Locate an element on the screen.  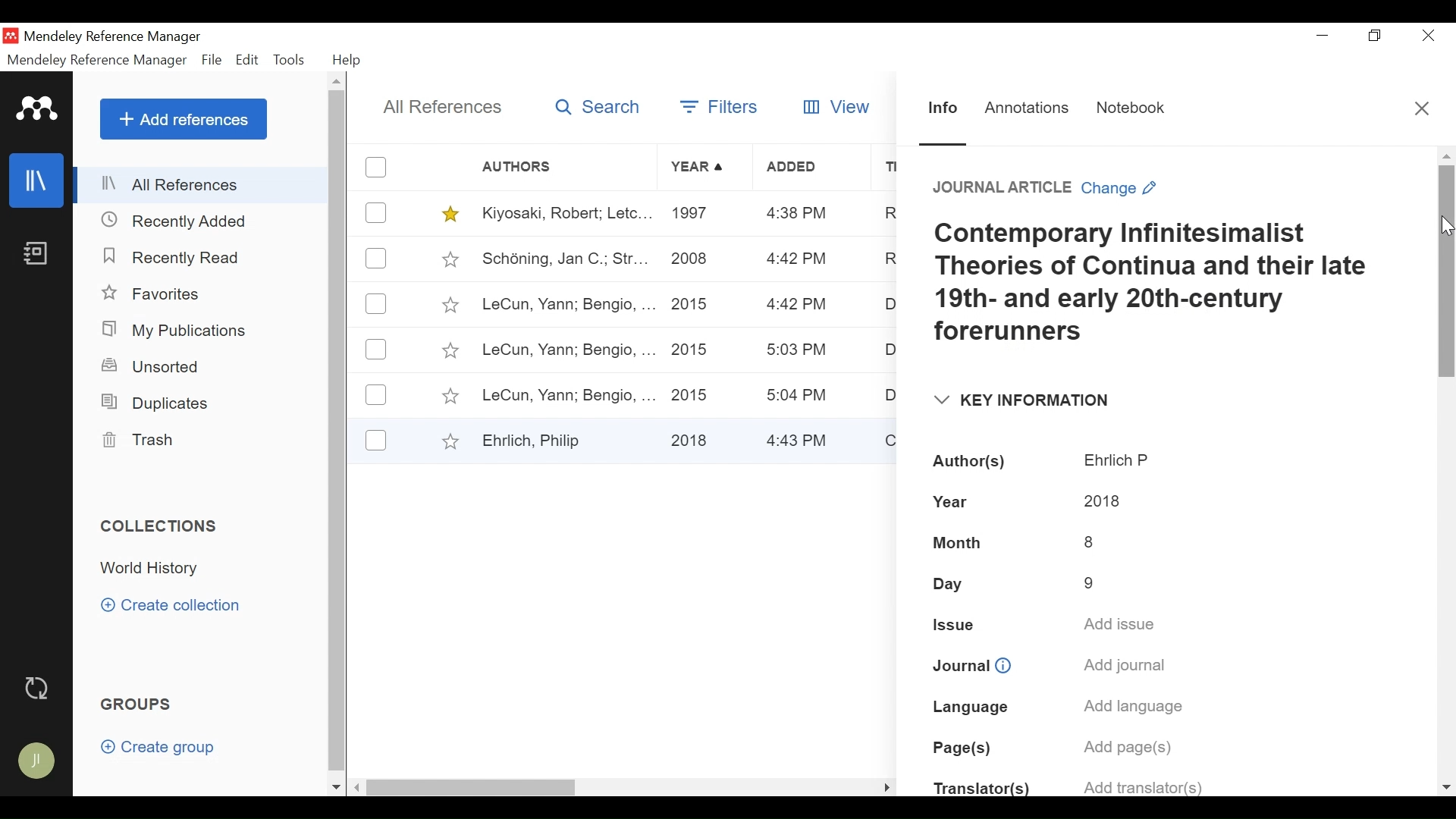
Recently Added is located at coordinates (183, 221).